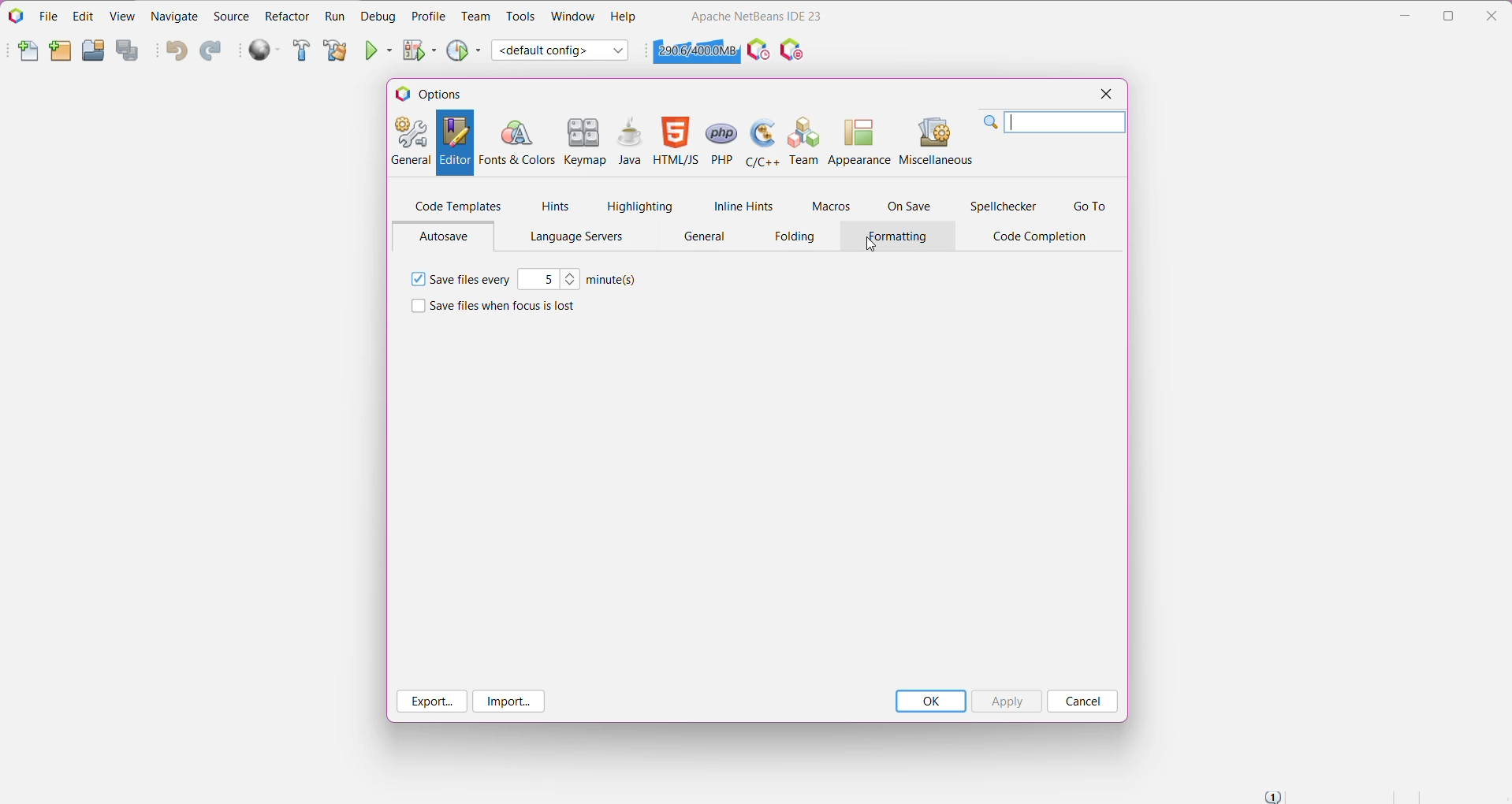 Image resolution: width=1512 pixels, height=804 pixels. Describe the element at coordinates (1405, 16) in the screenshot. I see `Minimize` at that location.